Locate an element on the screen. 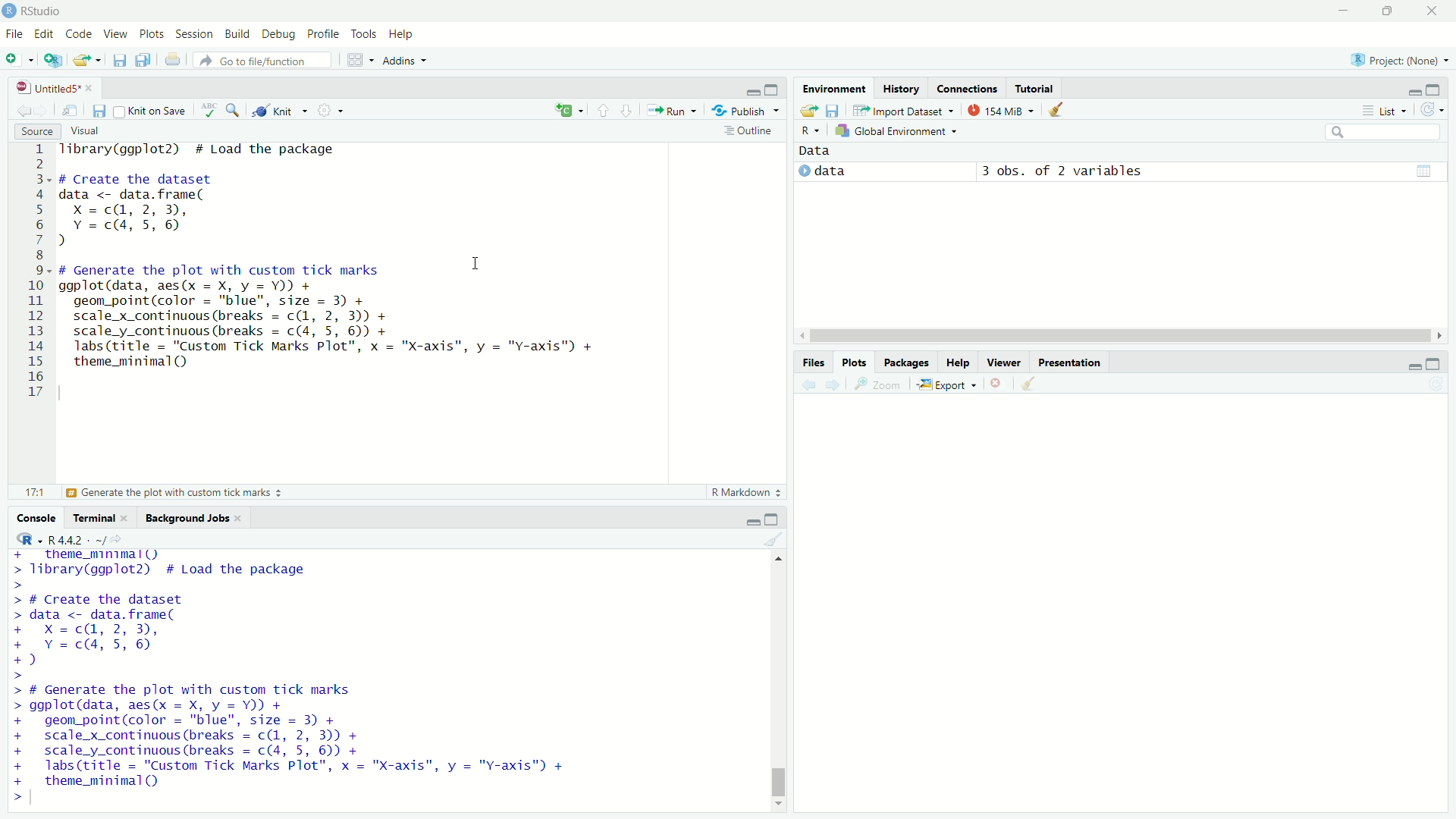 Image resolution: width=1456 pixels, height=819 pixels. visual is located at coordinates (88, 131).